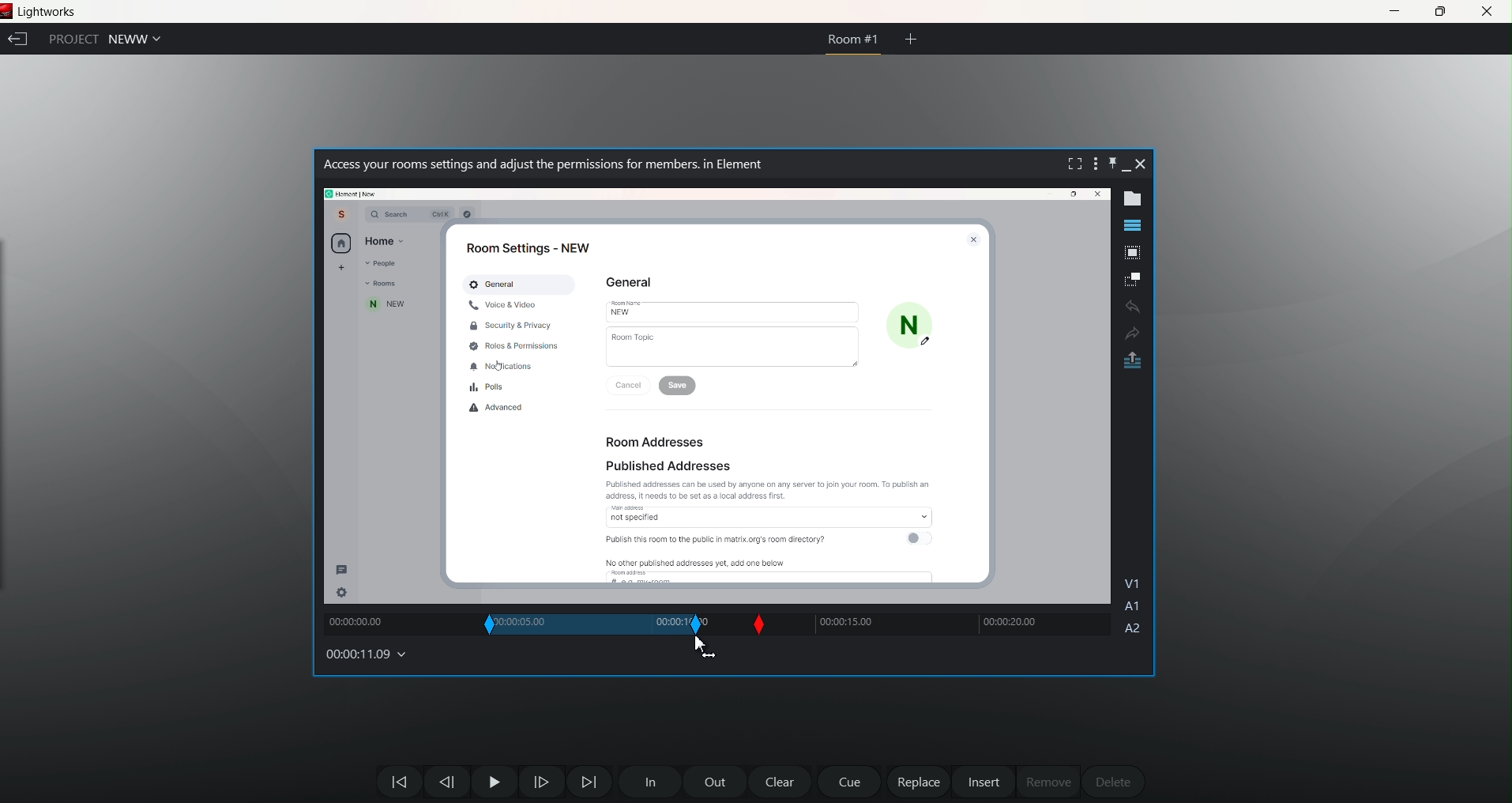 The image size is (1512, 803). Describe the element at coordinates (631, 625) in the screenshot. I see `out slip` at that location.